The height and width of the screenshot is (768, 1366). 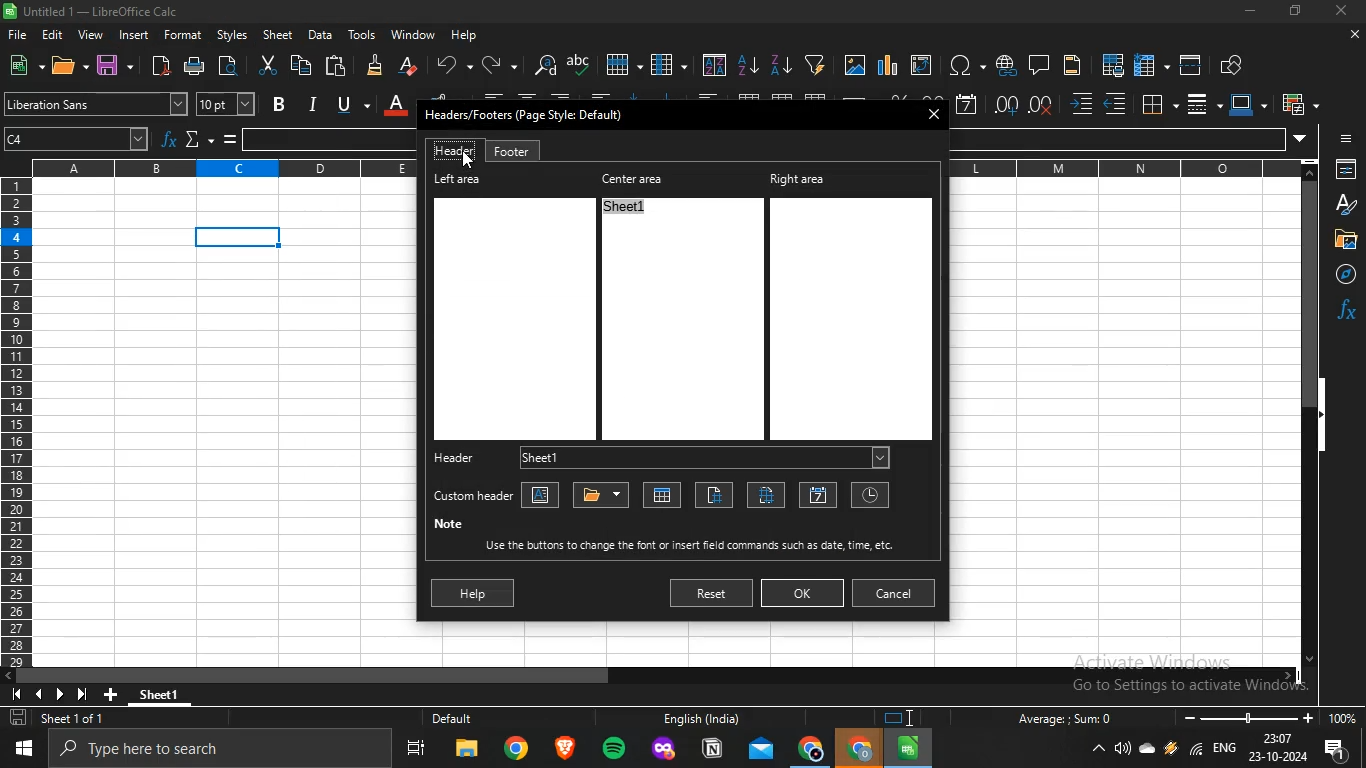 I want to click on noteUse the buttons to change the font or insert Seid commands such as date. time, etc., so click(x=674, y=535).